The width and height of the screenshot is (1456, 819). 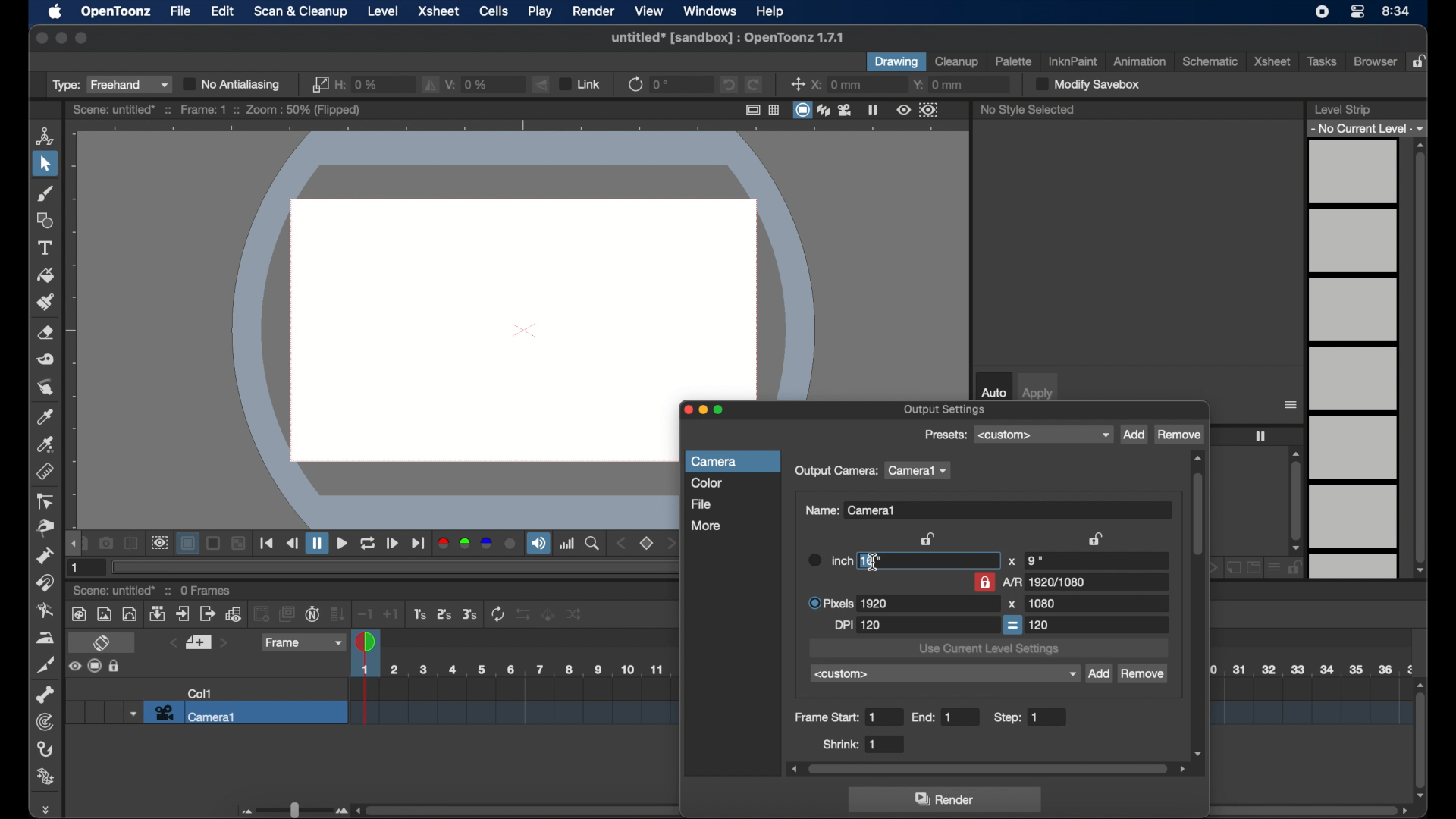 I want to click on control point editor tool, so click(x=46, y=502).